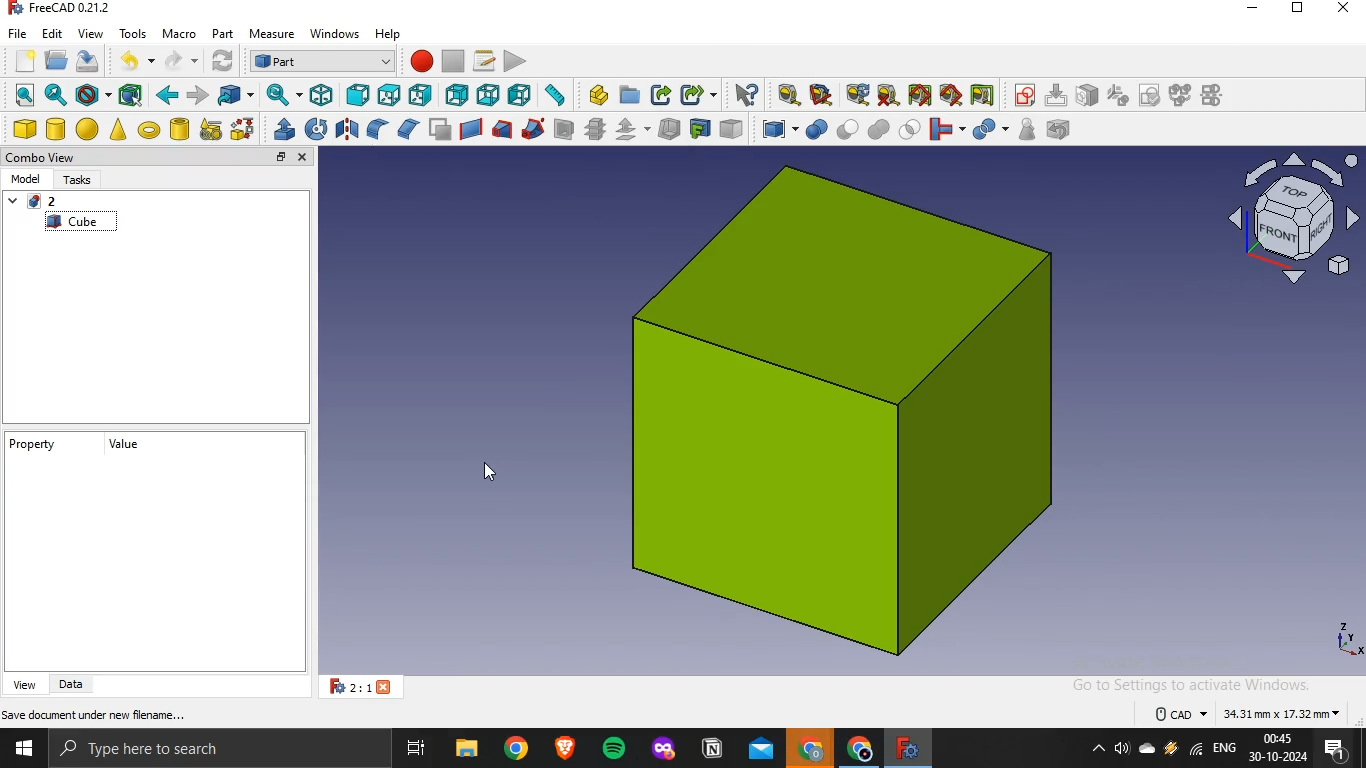  I want to click on cube, so click(75, 223).